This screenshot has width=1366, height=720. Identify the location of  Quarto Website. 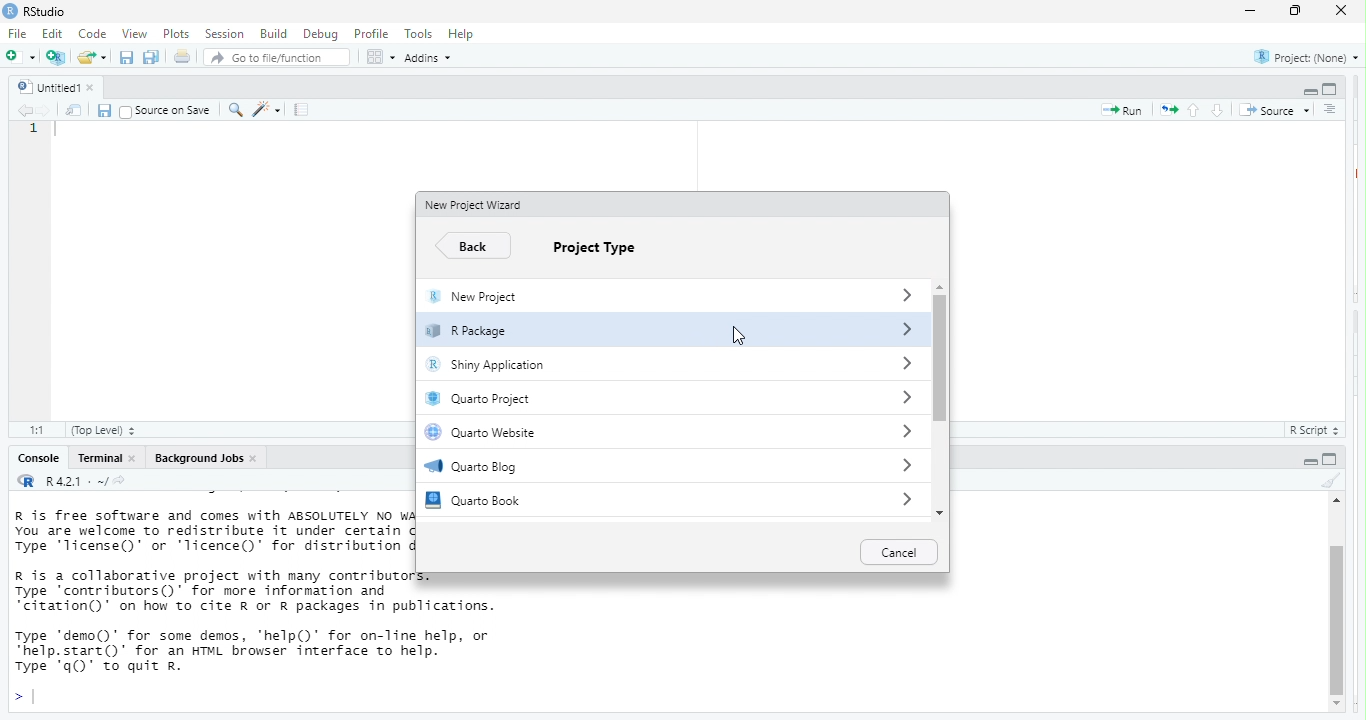
(635, 435).